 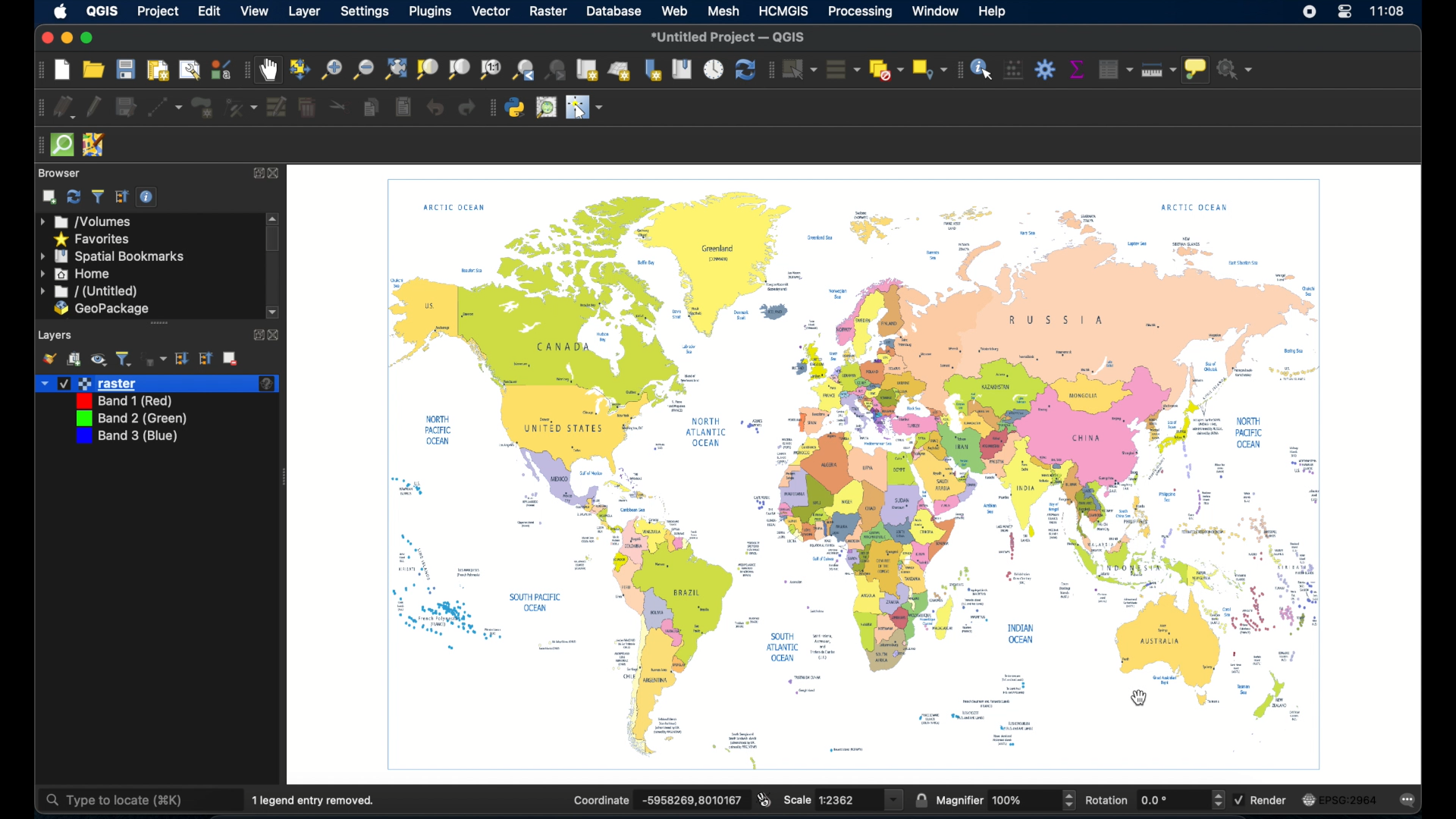 I want to click on select all features, so click(x=840, y=69).